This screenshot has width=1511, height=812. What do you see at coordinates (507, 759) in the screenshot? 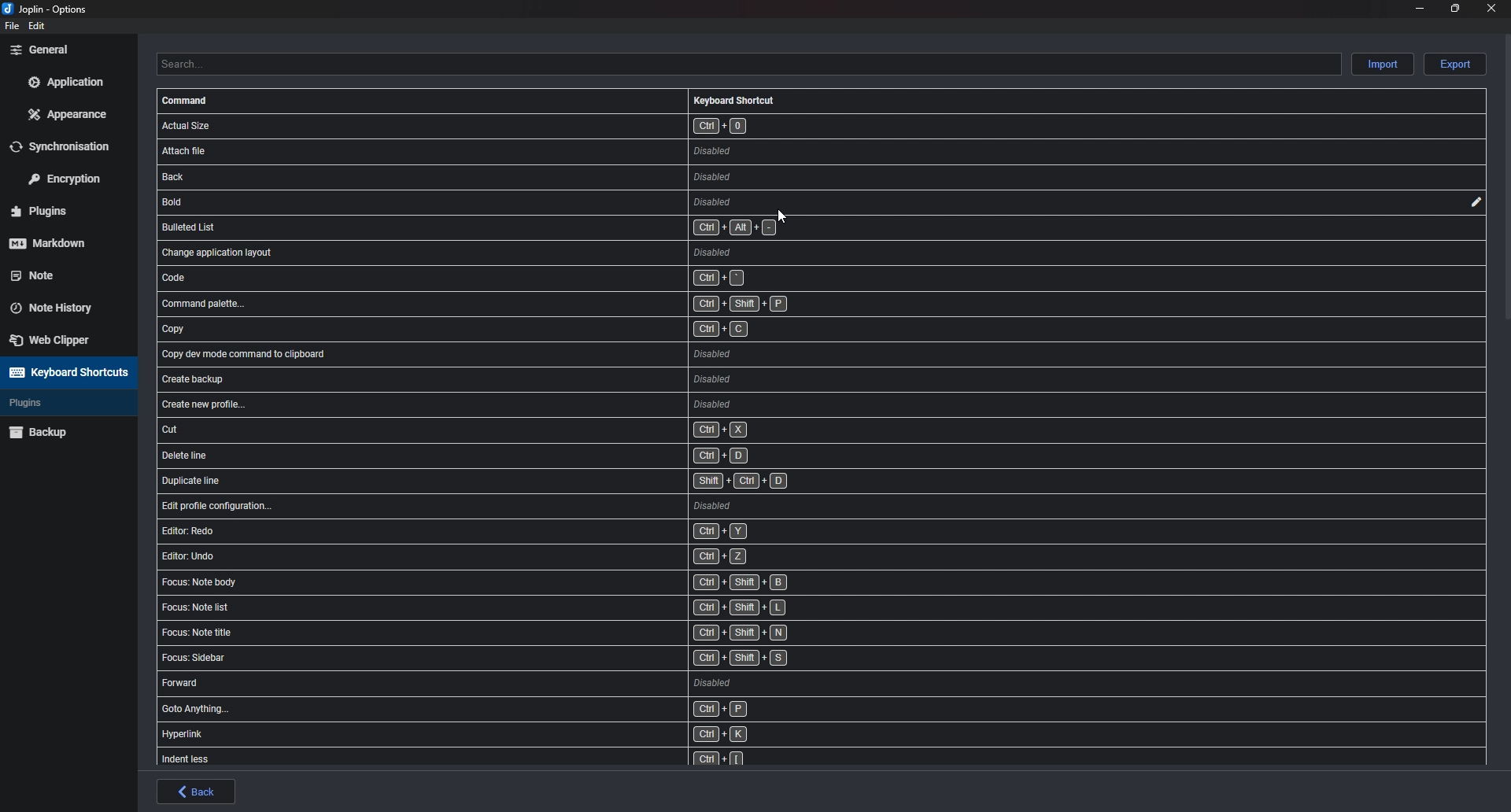
I see `shortcut` at bounding box center [507, 759].